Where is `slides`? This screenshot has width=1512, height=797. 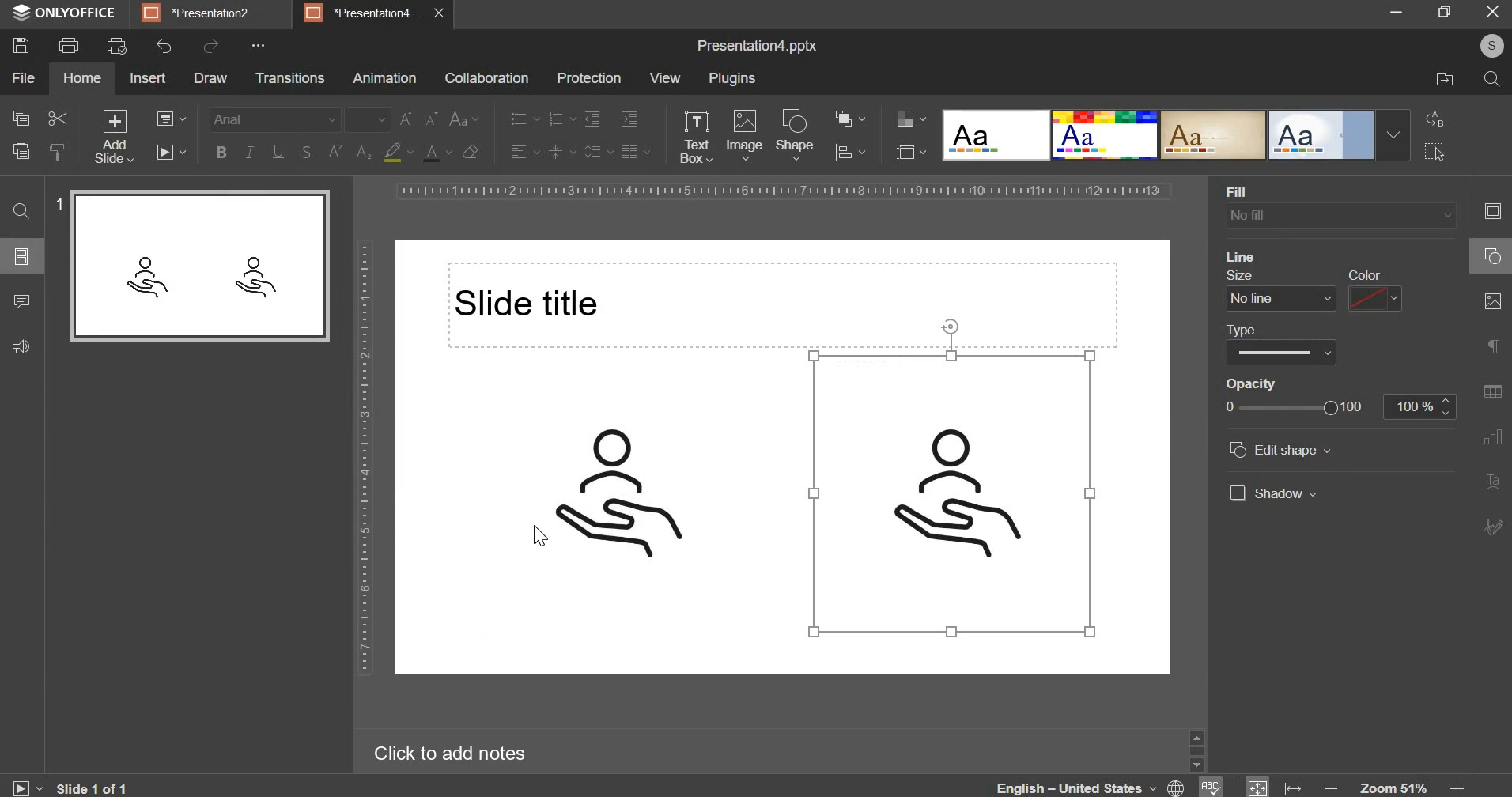
slides is located at coordinates (20, 257).